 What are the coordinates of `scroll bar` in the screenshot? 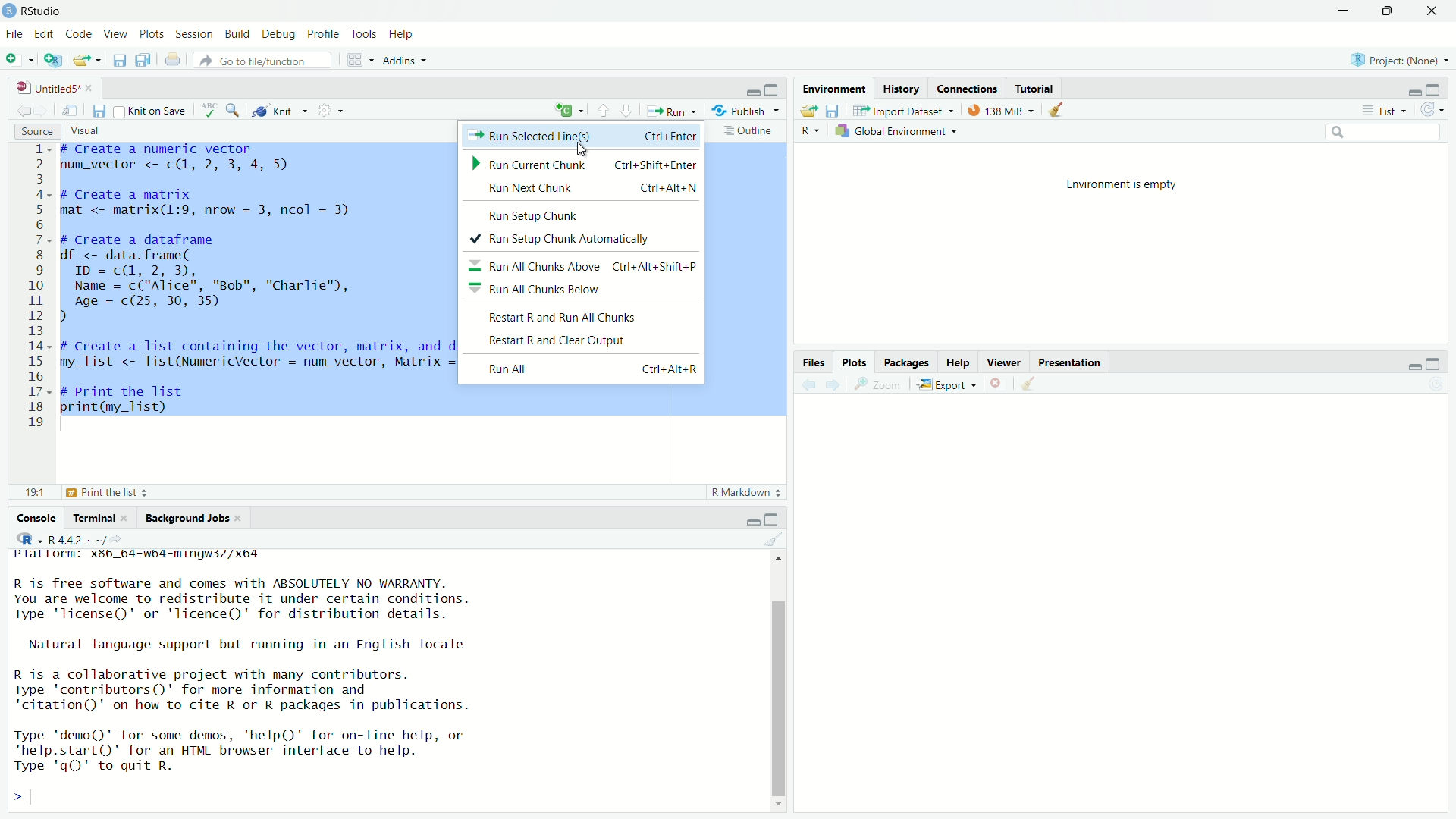 It's located at (778, 679).